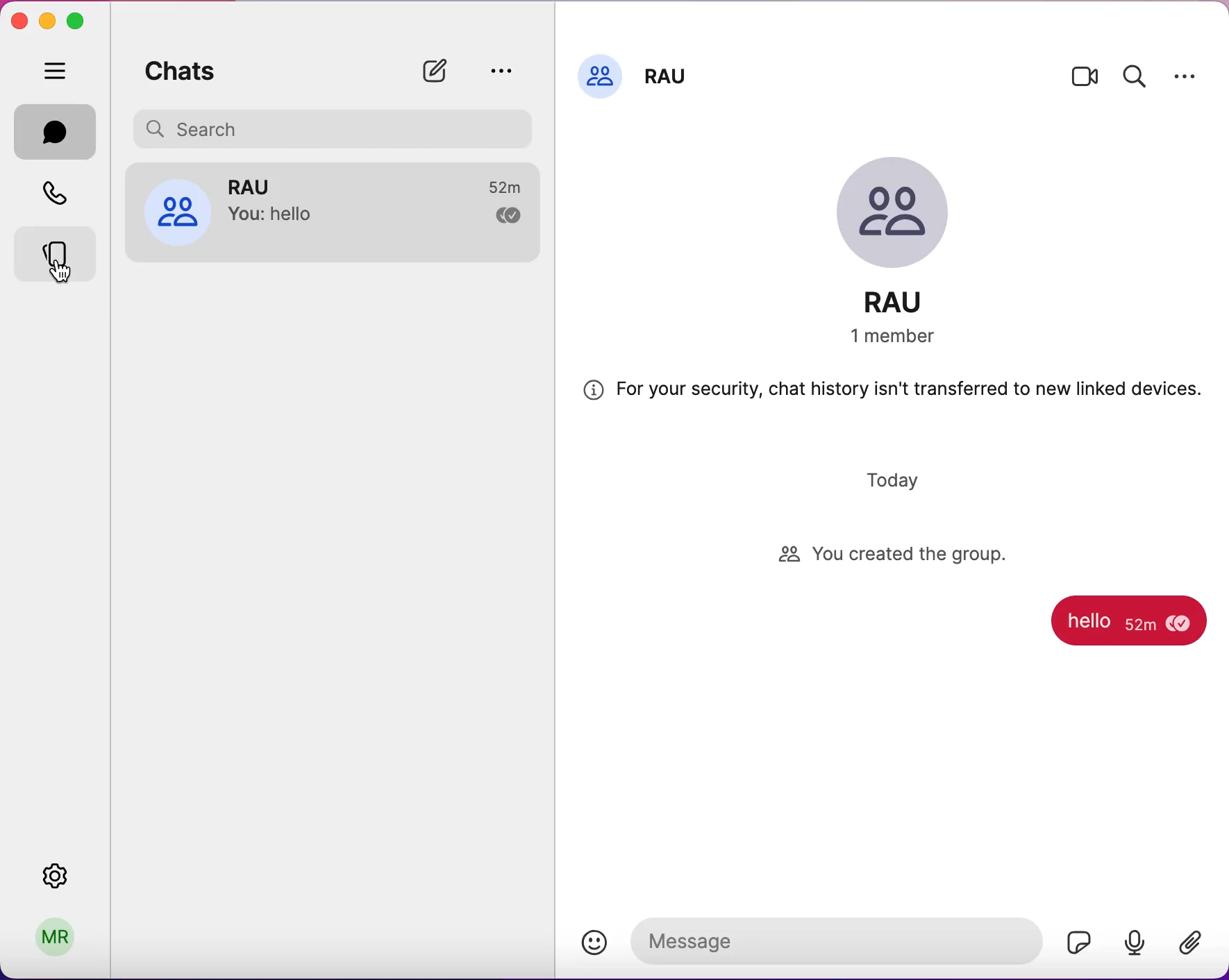 The height and width of the screenshot is (980, 1229). I want to click on user, so click(60, 934).